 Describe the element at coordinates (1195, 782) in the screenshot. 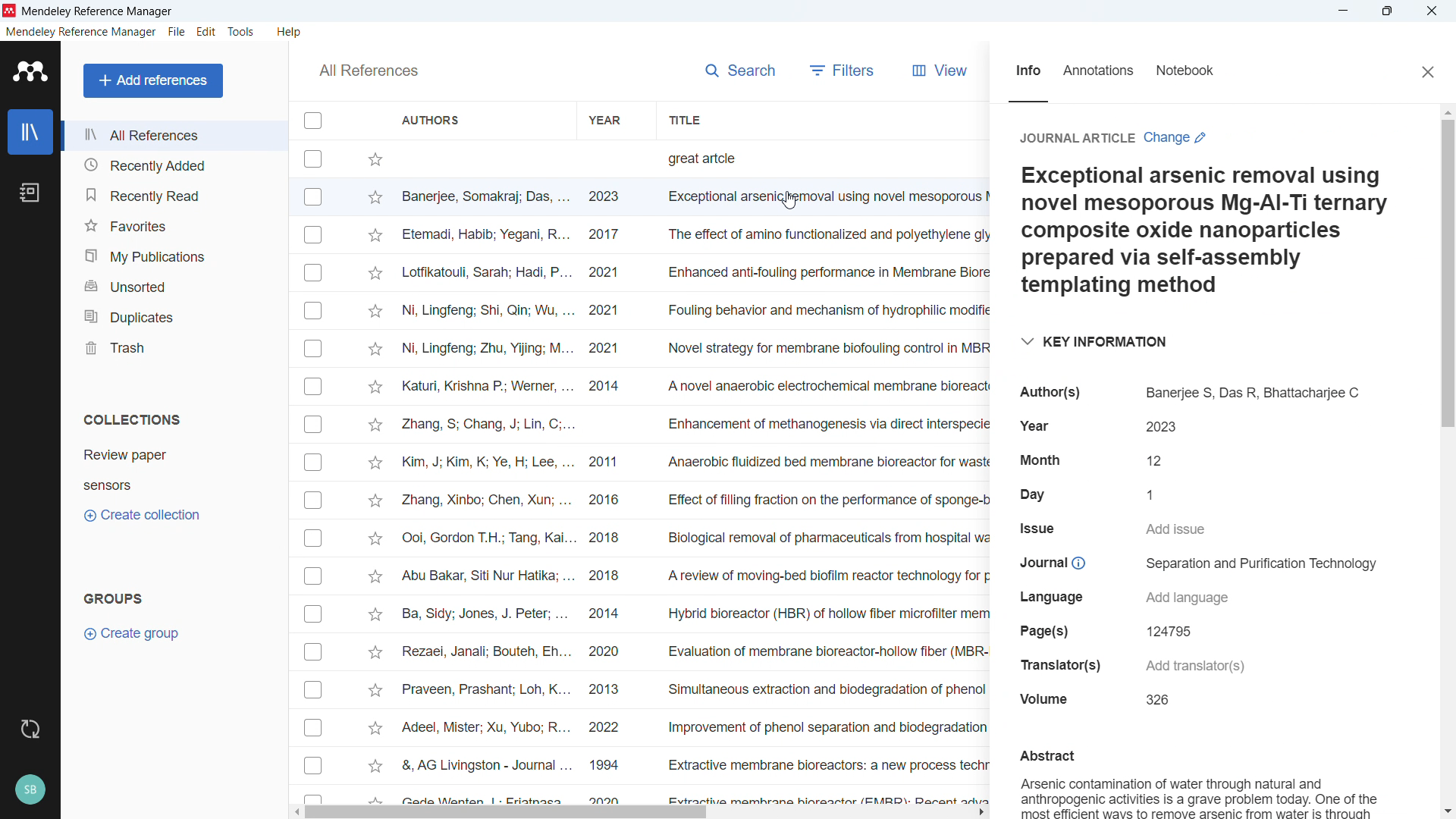

I see `Abstract ` at that location.